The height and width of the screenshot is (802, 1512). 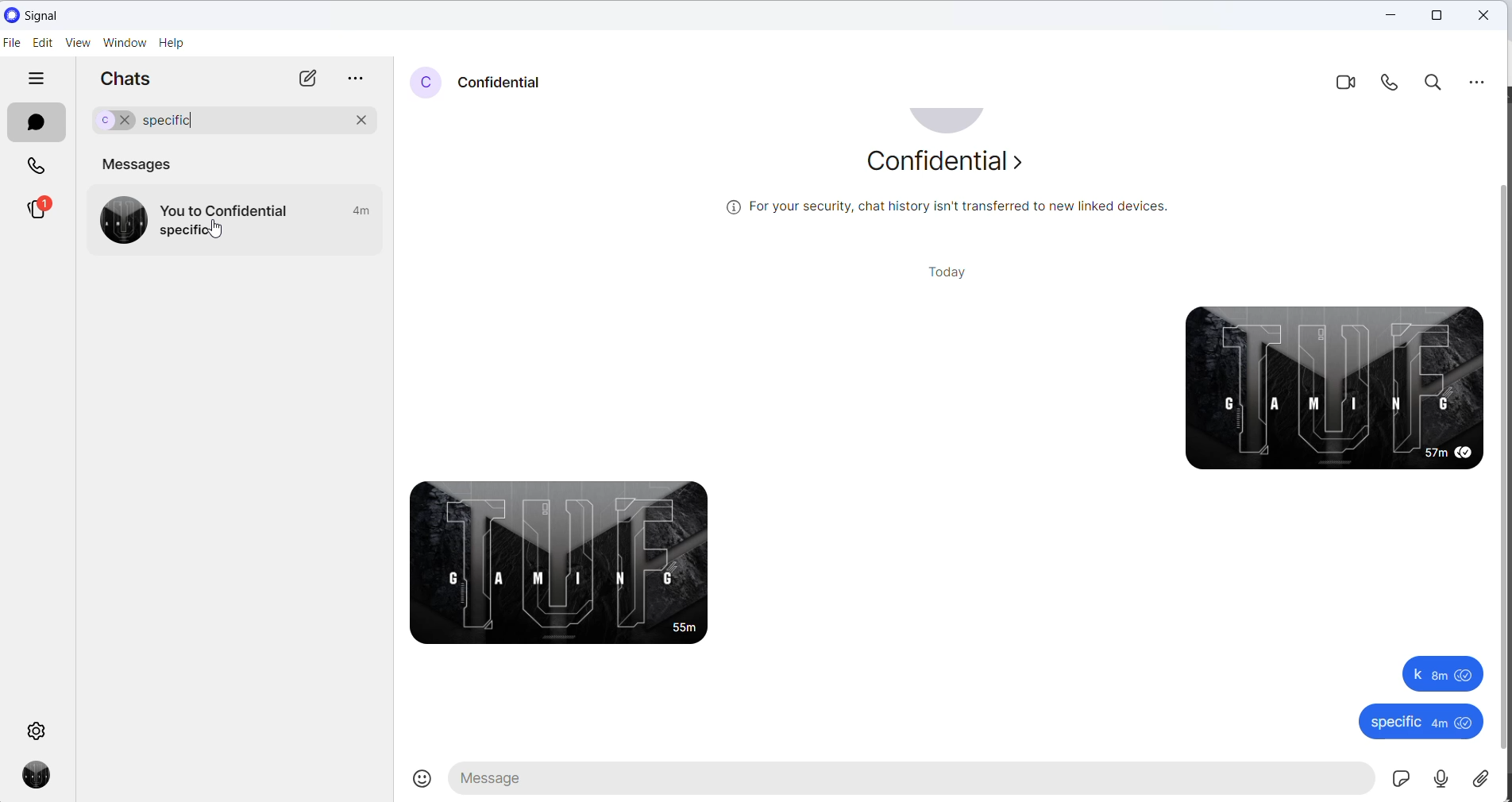 What do you see at coordinates (1433, 82) in the screenshot?
I see `search in chat` at bounding box center [1433, 82].